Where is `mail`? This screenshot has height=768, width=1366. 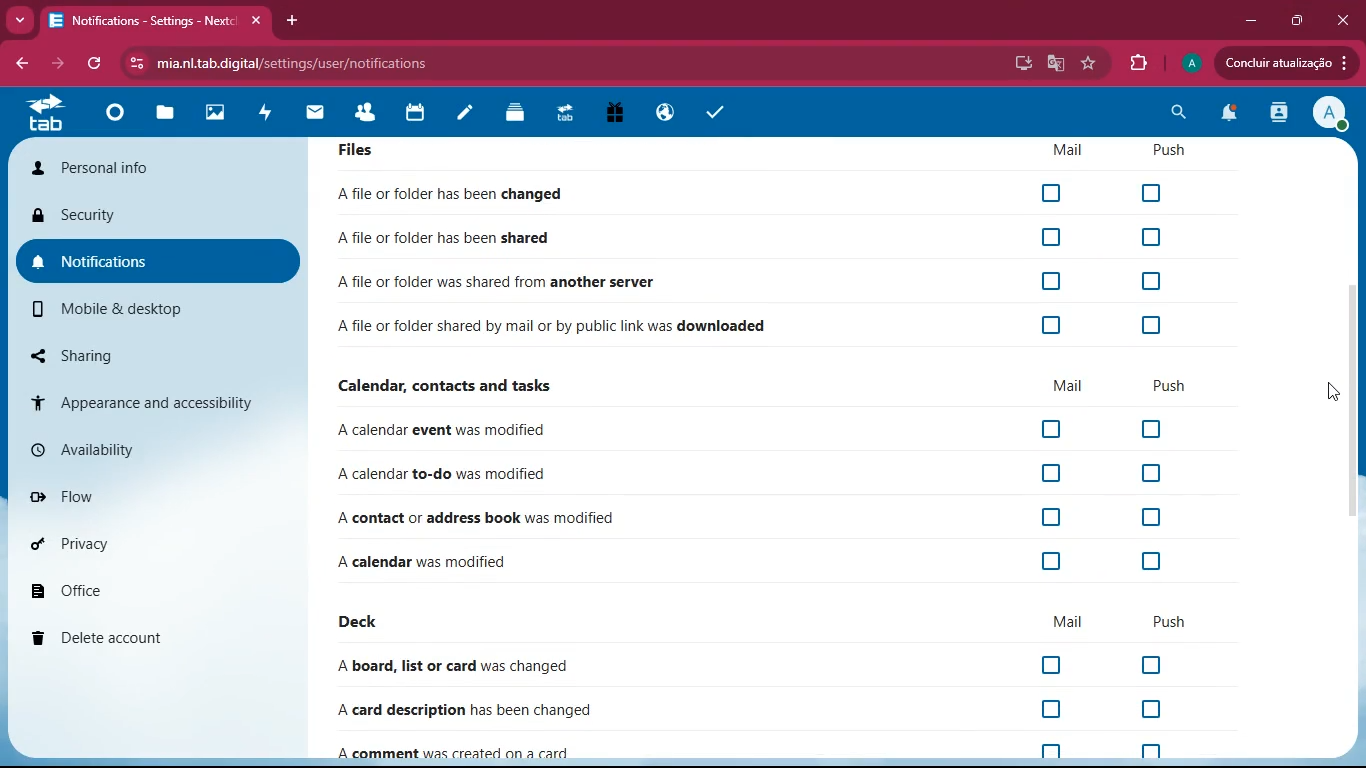
mail is located at coordinates (1065, 387).